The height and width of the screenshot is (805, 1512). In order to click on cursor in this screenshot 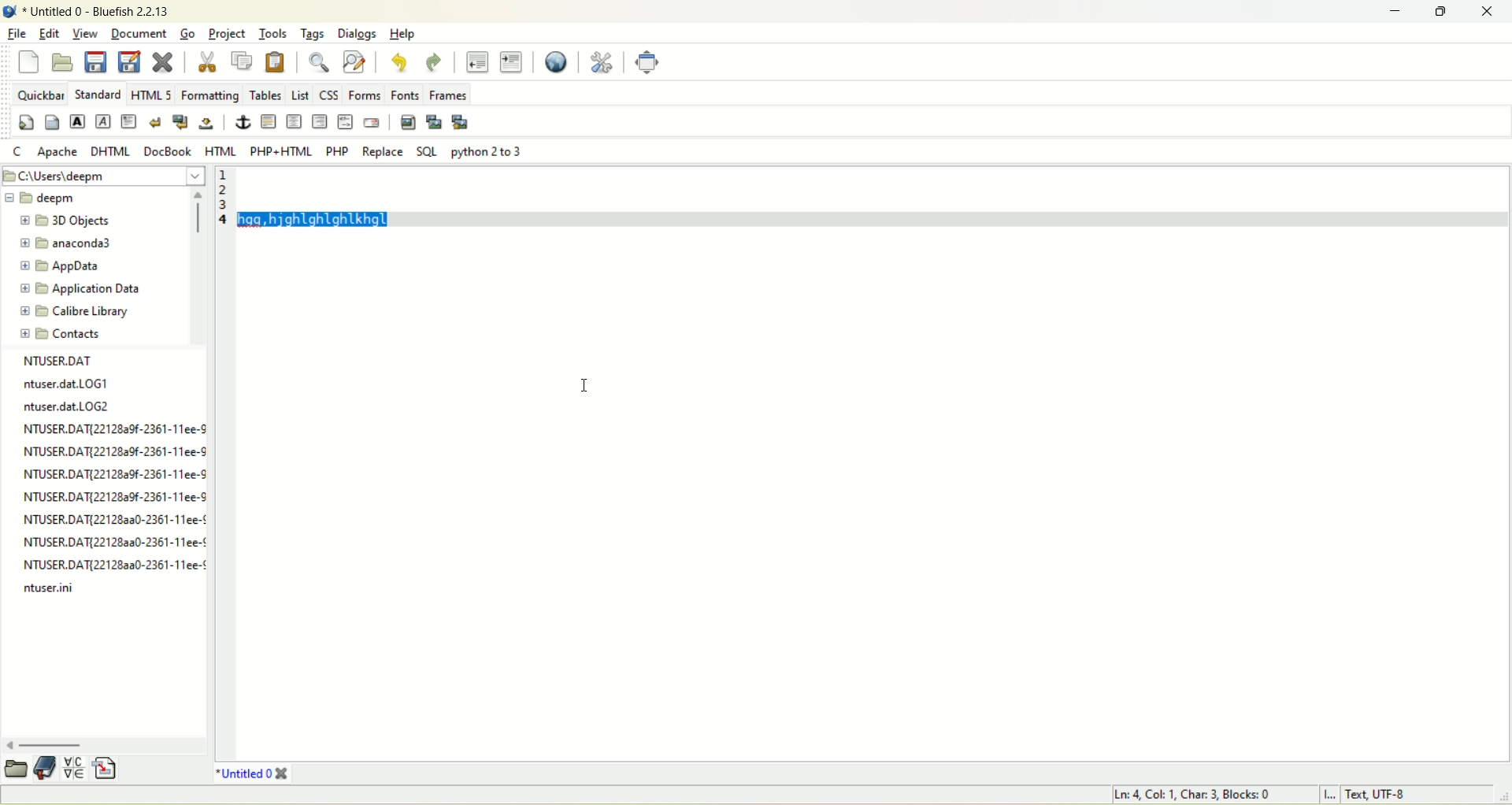, I will do `click(585, 379)`.